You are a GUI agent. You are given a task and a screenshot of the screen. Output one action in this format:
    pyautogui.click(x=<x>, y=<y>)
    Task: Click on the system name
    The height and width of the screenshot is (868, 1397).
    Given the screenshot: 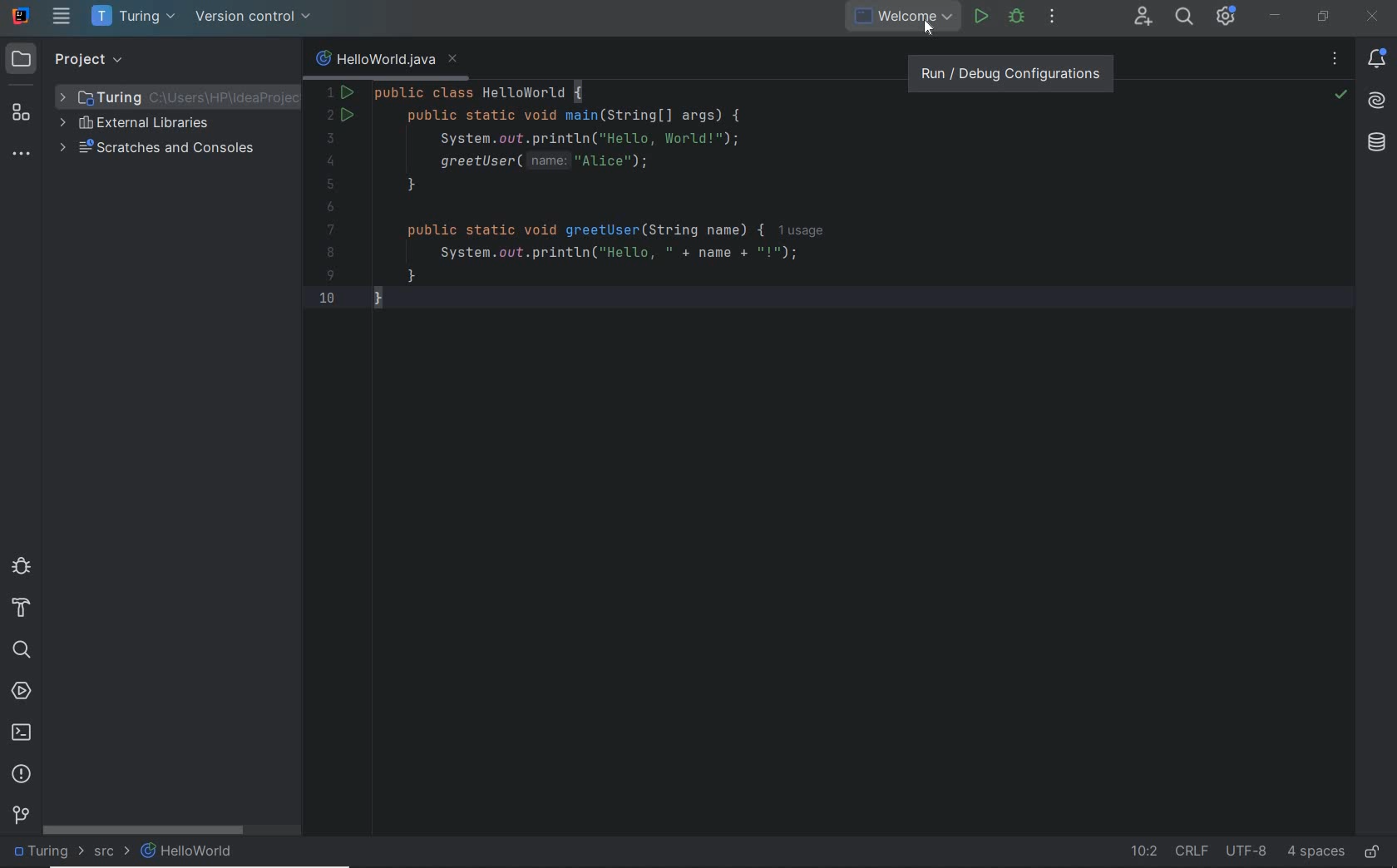 What is the action you would take?
    pyautogui.click(x=22, y=16)
    